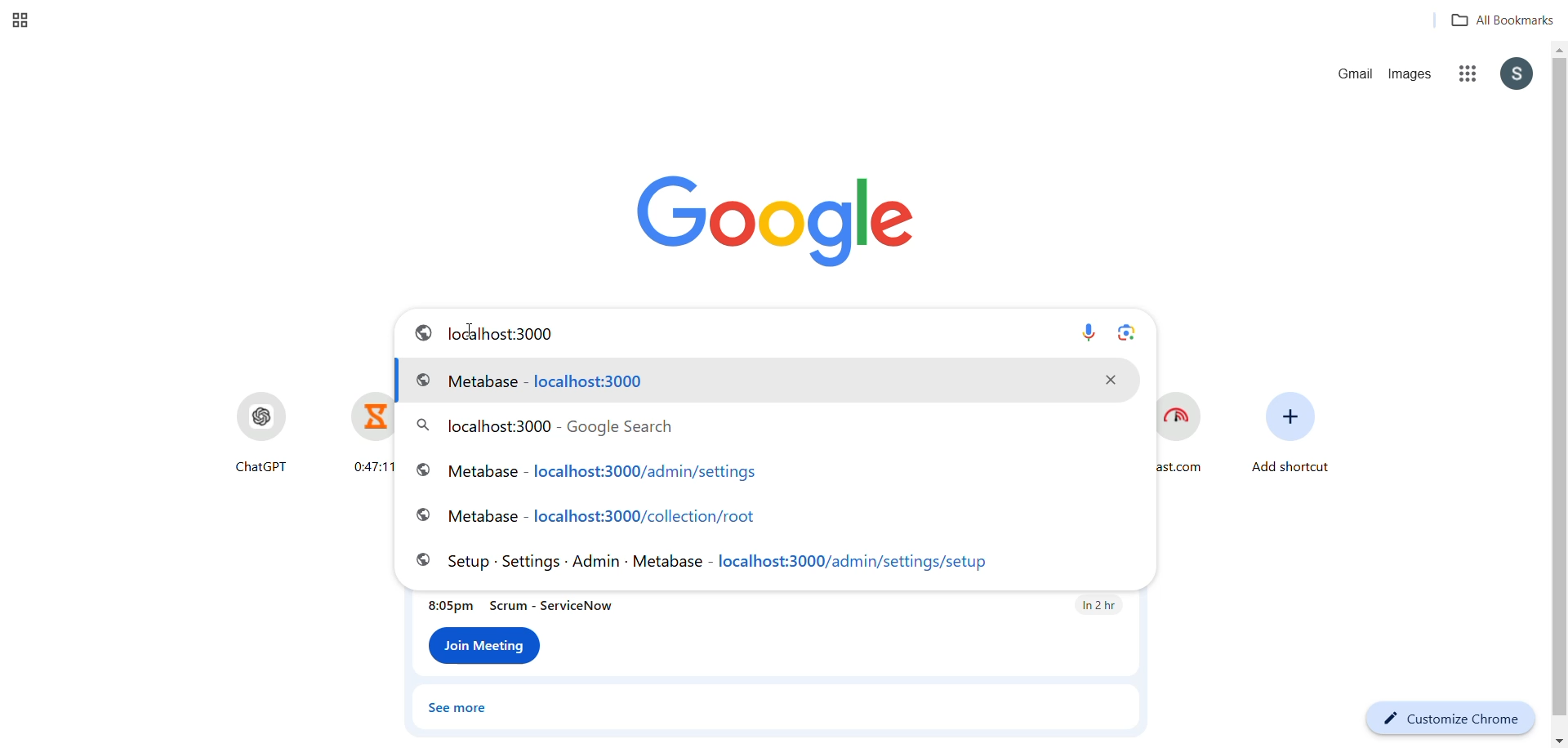 The width and height of the screenshot is (1568, 748). Describe the element at coordinates (1129, 334) in the screenshot. I see `Lens` at that location.